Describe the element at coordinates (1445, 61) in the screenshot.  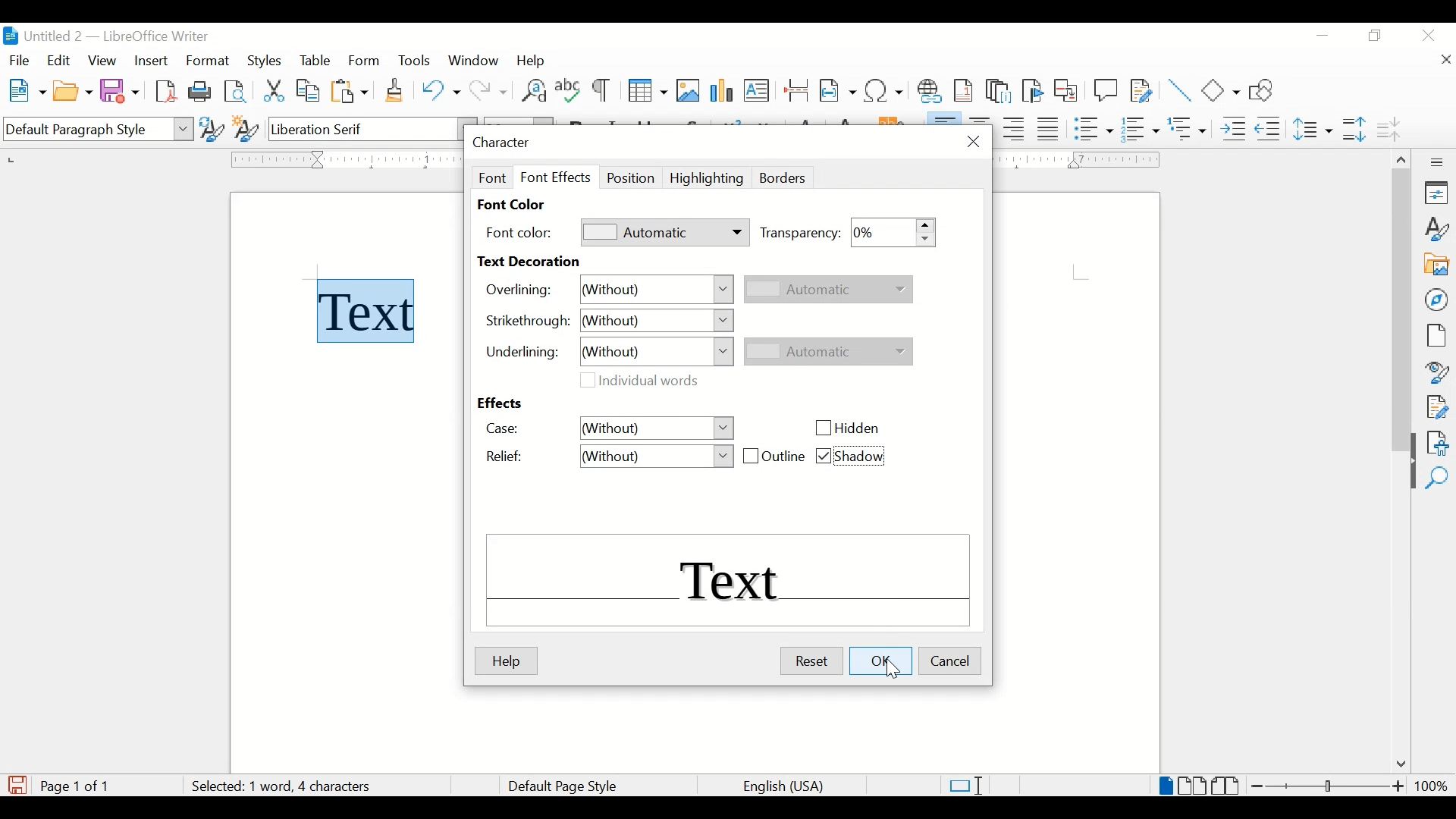
I see `close` at that location.